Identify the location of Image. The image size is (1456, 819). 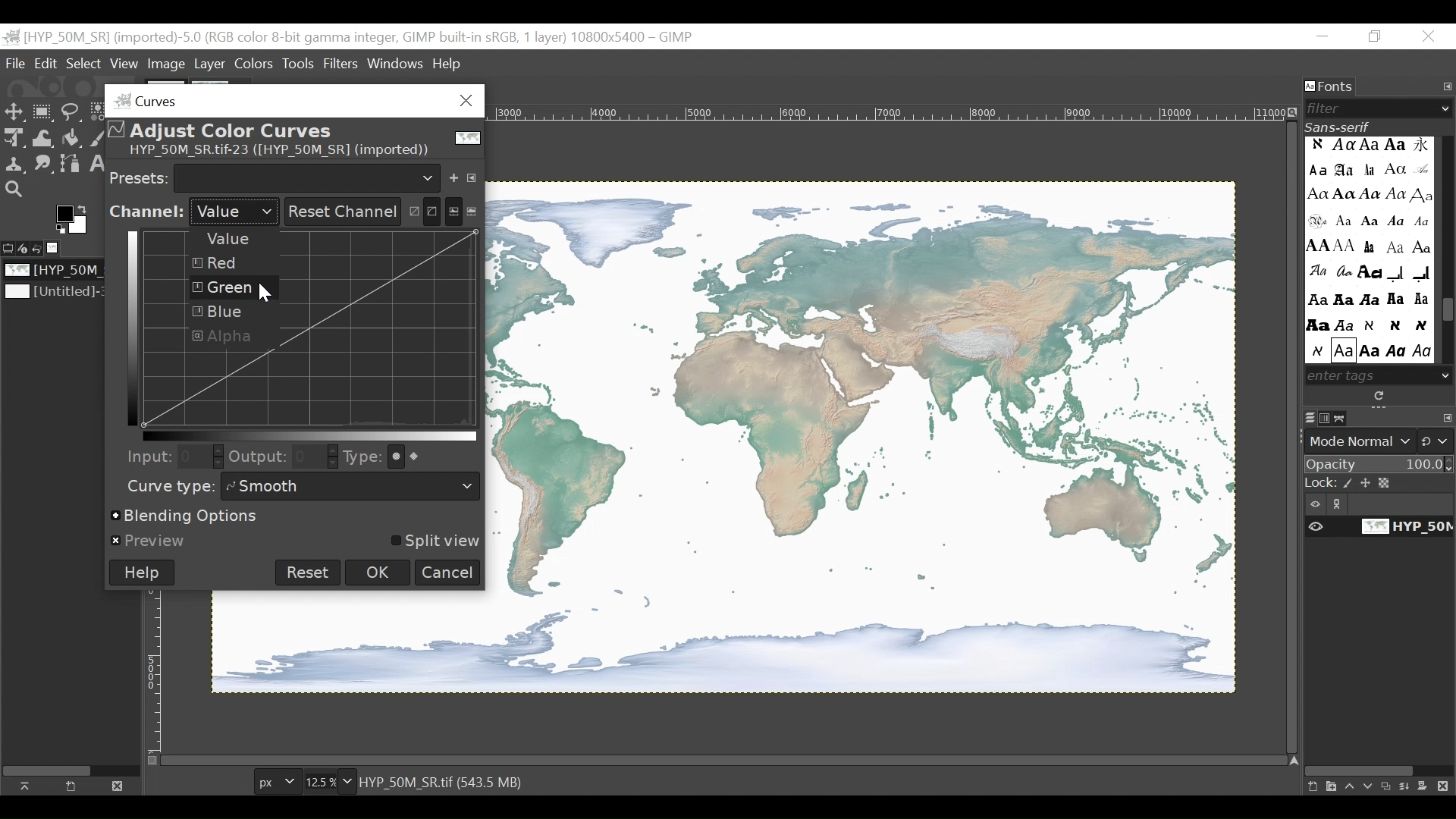
(58, 248).